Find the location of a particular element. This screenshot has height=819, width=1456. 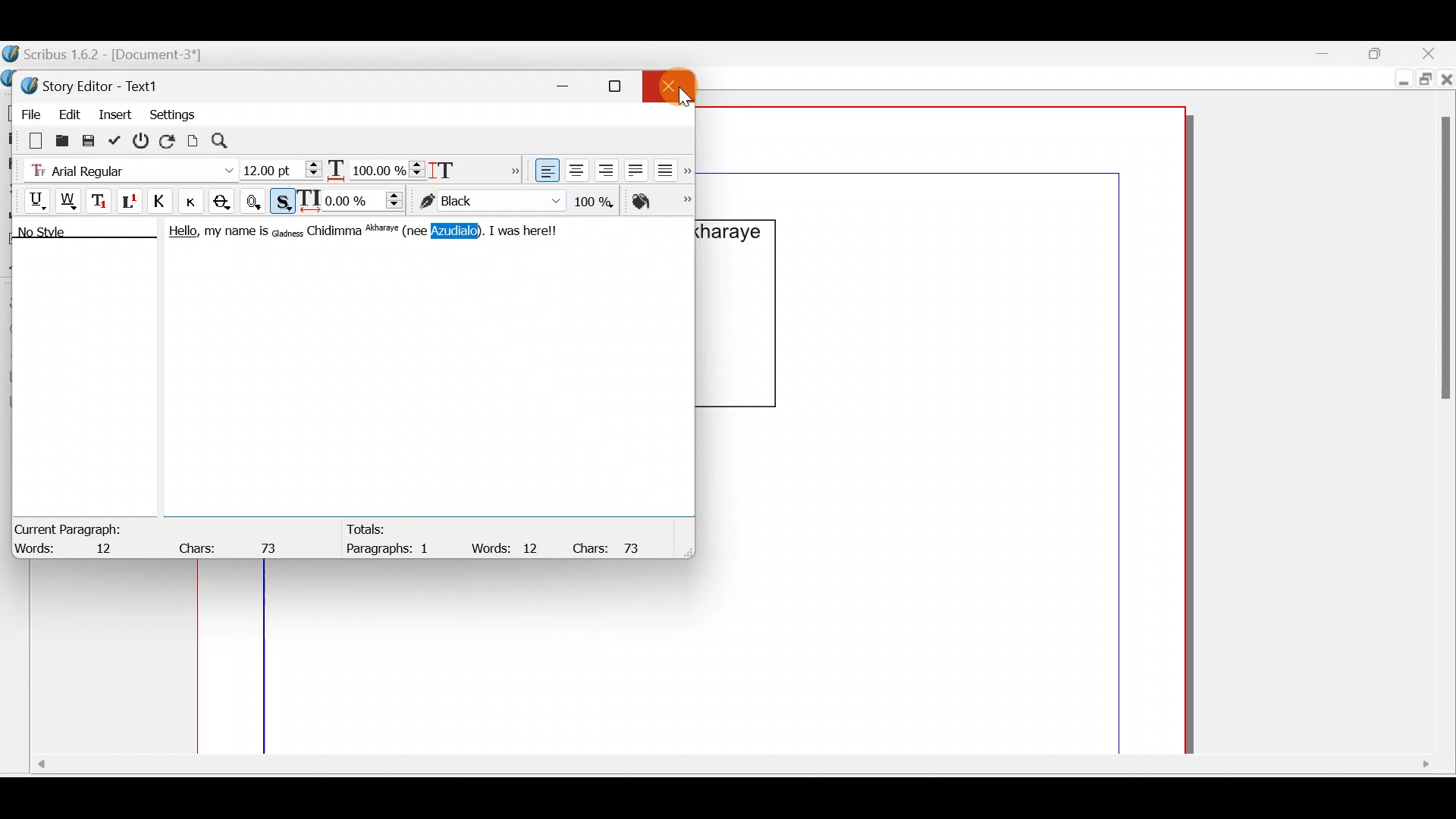

Minimize is located at coordinates (571, 83).